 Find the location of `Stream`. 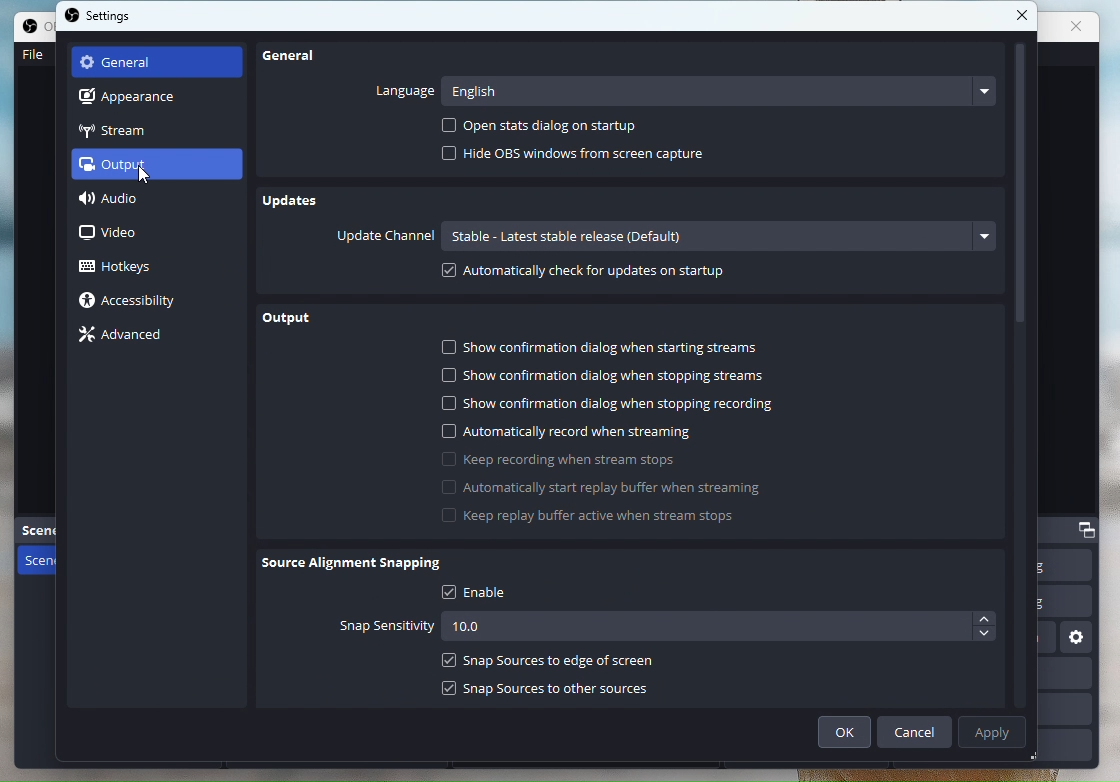

Stream is located at coordinates (136, 129).